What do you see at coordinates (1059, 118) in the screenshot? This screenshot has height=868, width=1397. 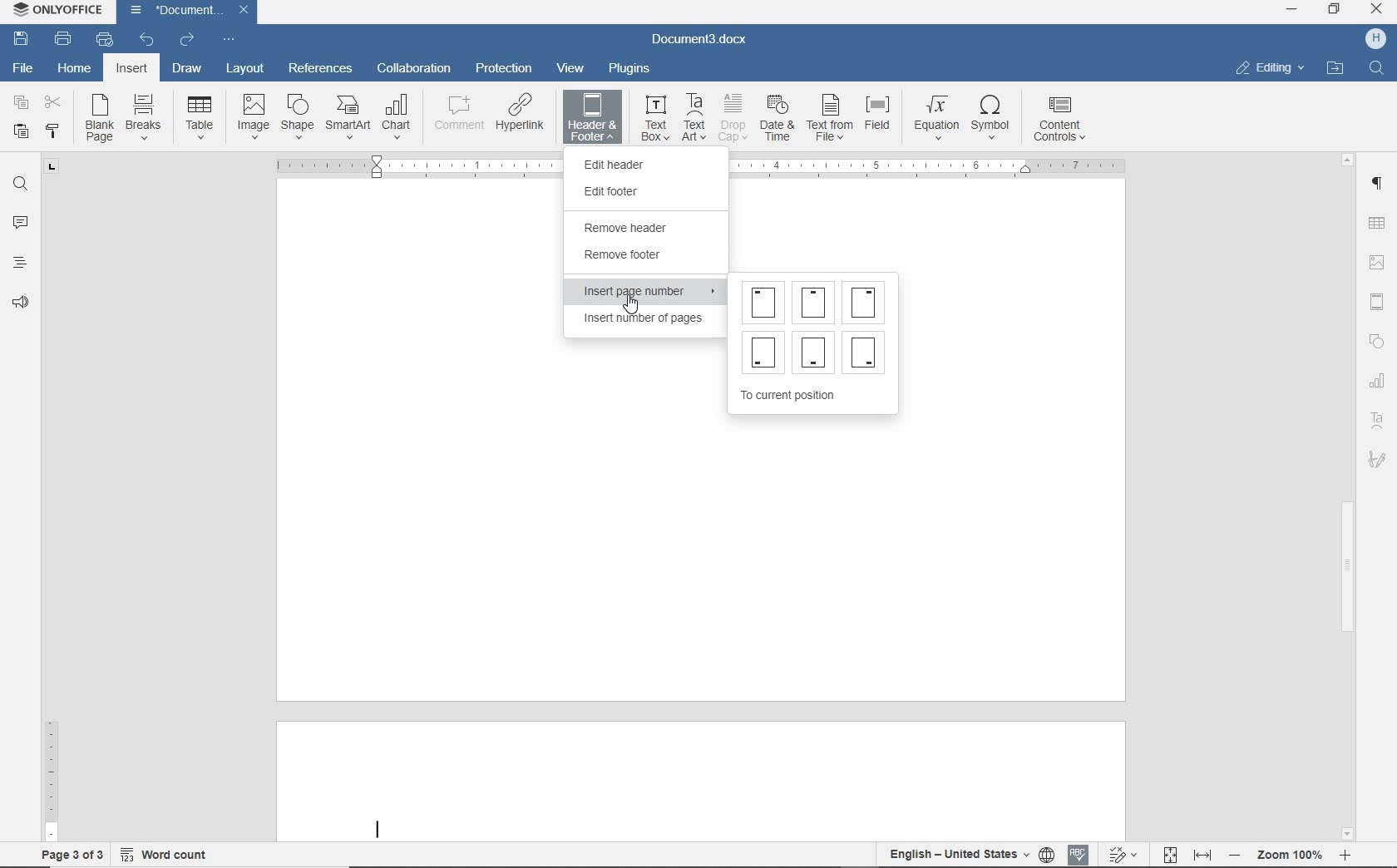 I see `CONTENT CONTROLS` at bounding box center [1059, 118].